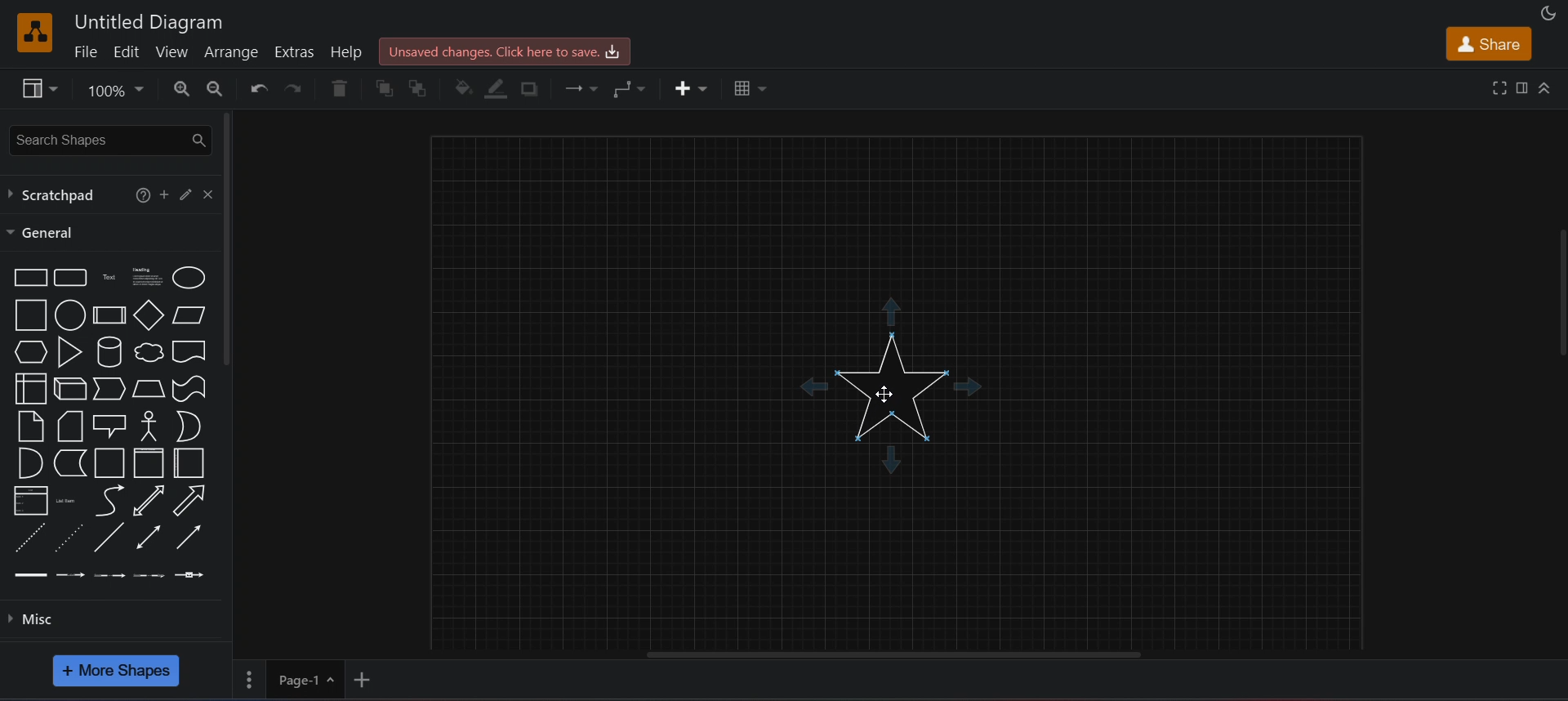 Image resolution: width=1568 pixels, height=701 pixels. Describe the element at coordinates (343, 50) in the screenshot. I see `help` at that location.